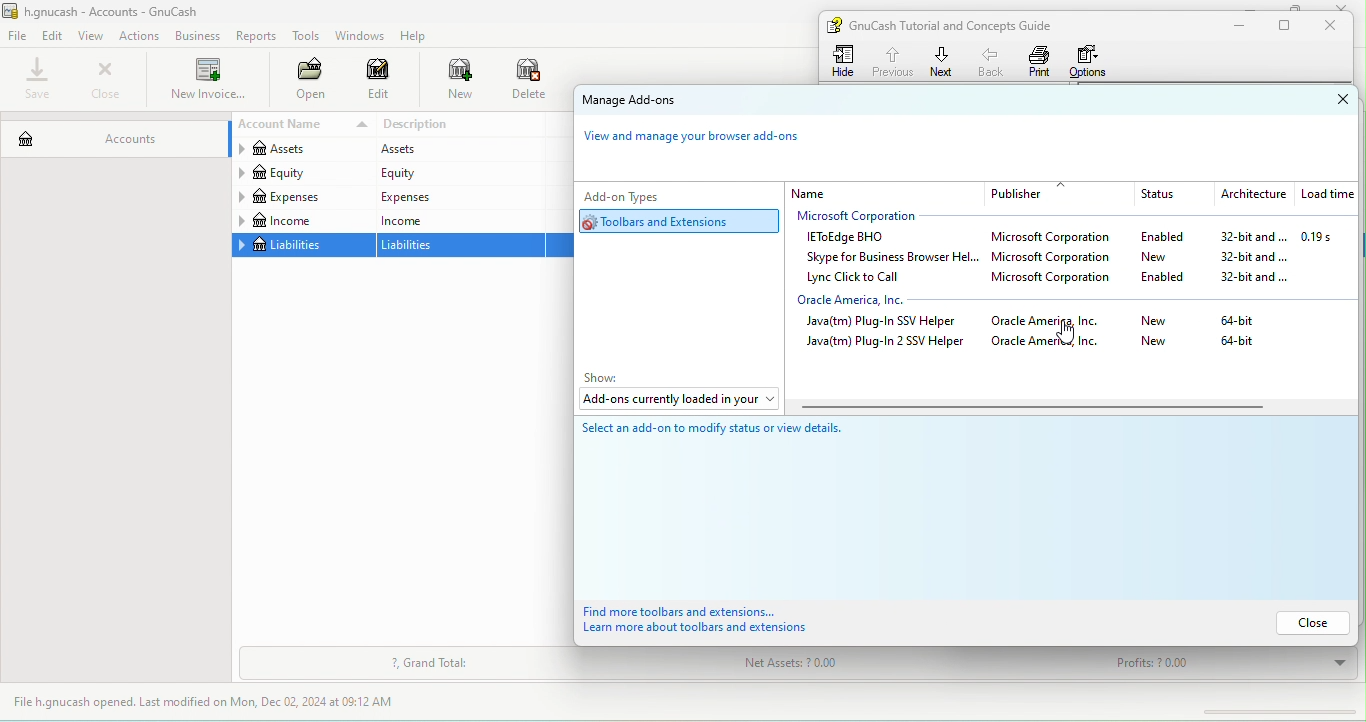  I want to click on add ons currently loaded in your , so click(677, 401).